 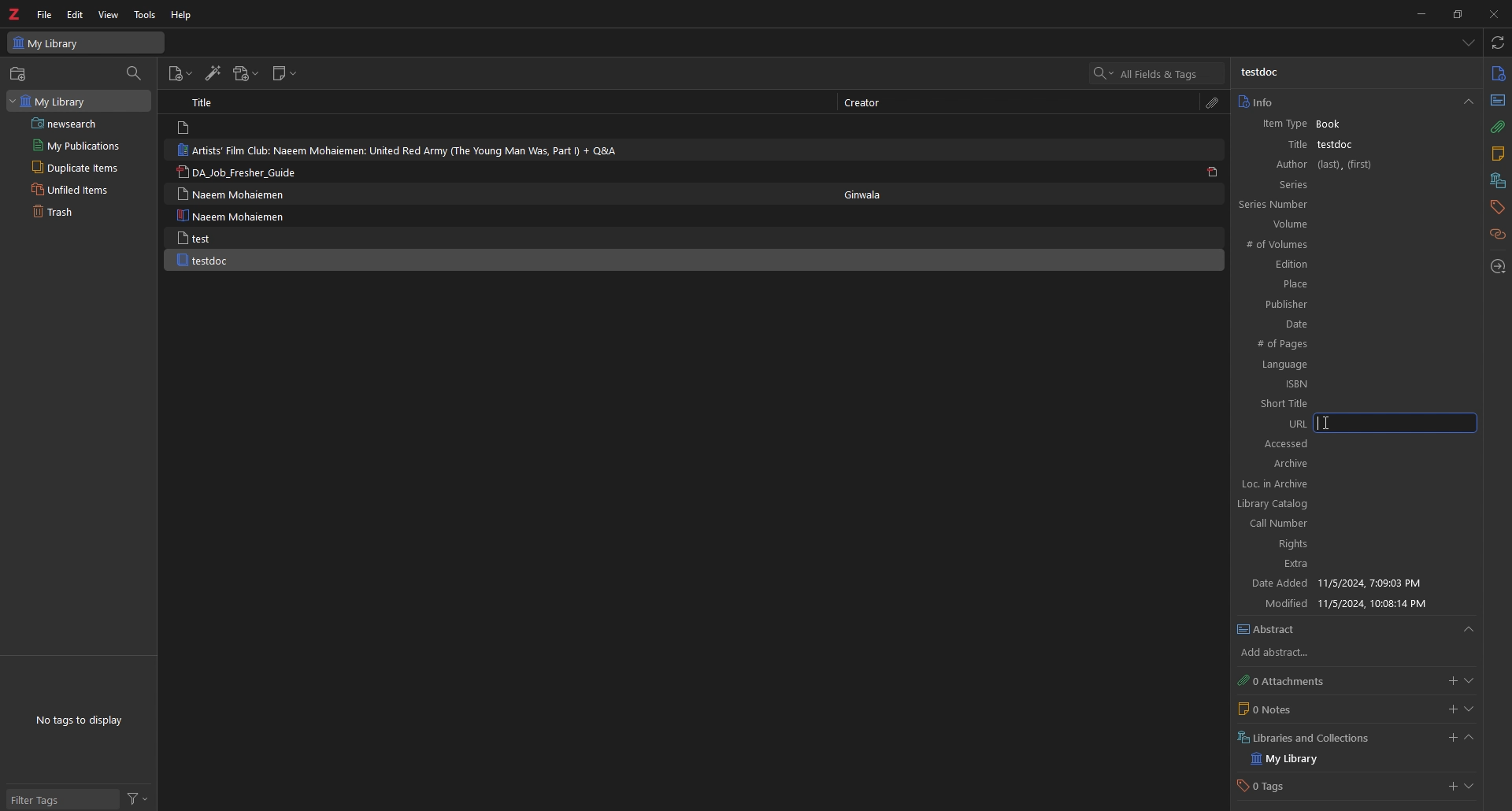 I want to click on my library, so click(x=1292, y=761).